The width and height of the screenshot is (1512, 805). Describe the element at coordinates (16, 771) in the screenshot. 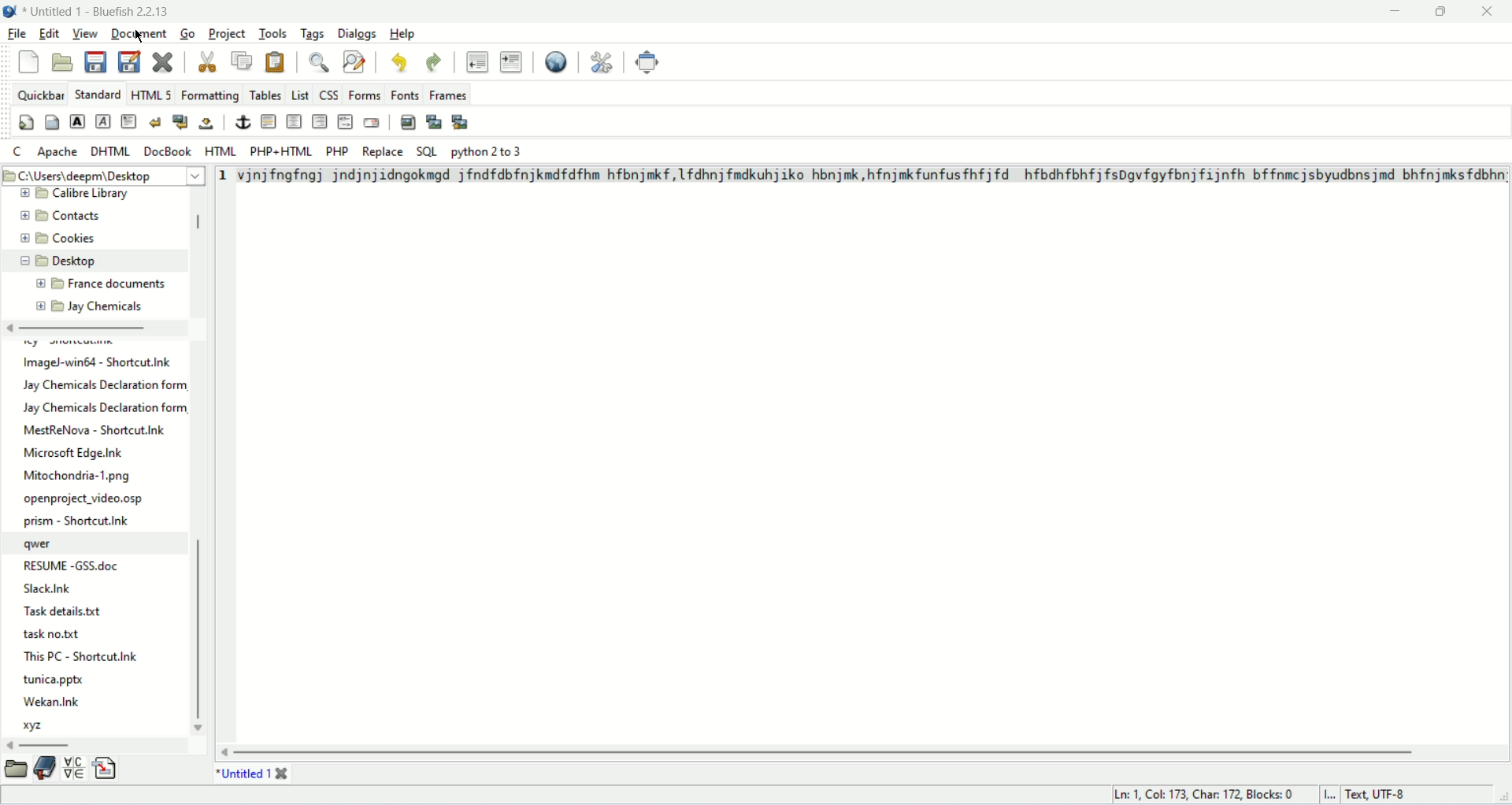

I see `browse file` at that location.